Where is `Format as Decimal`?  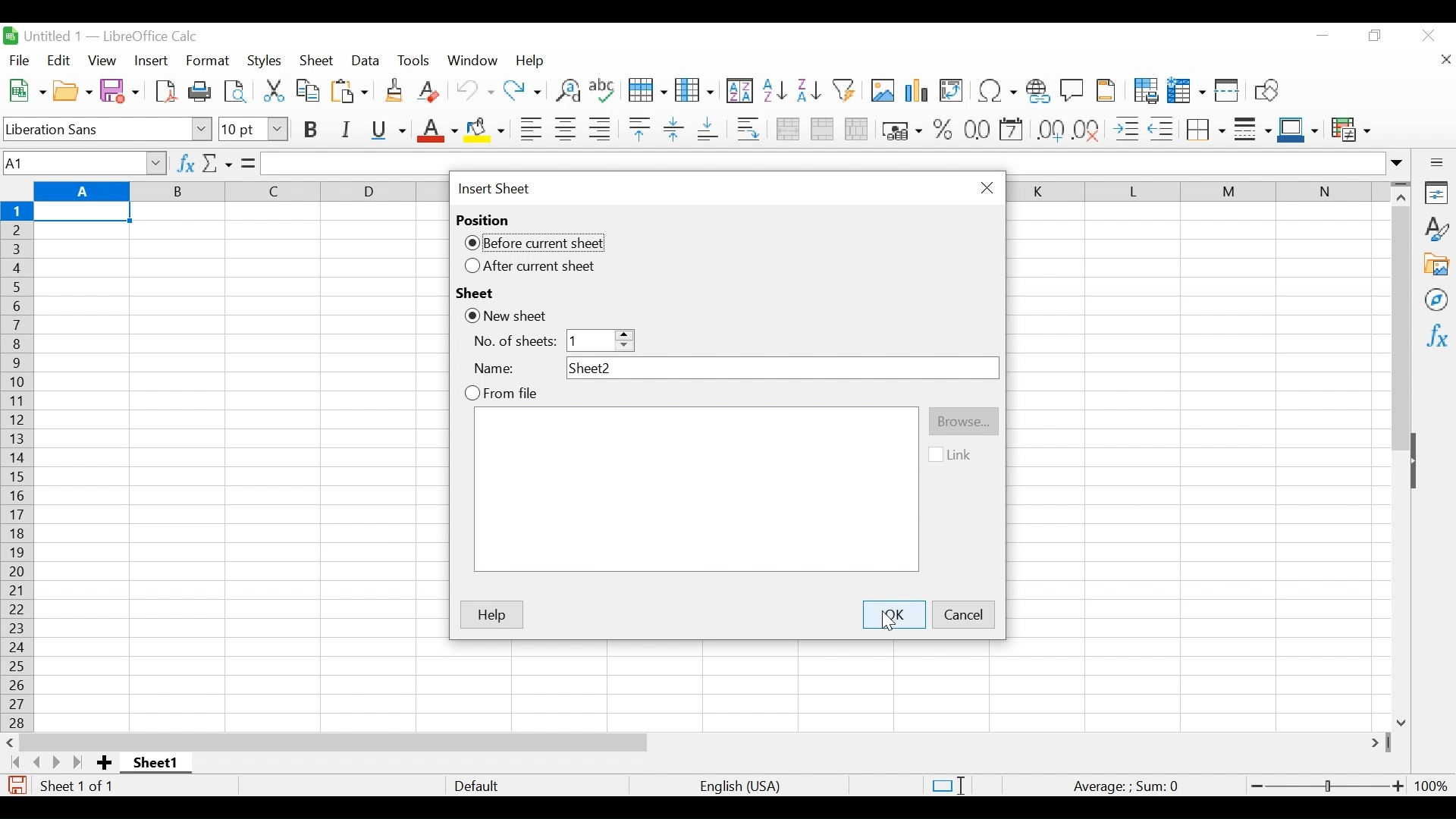 Format as Decimal is located at coordinates (1050, 131).